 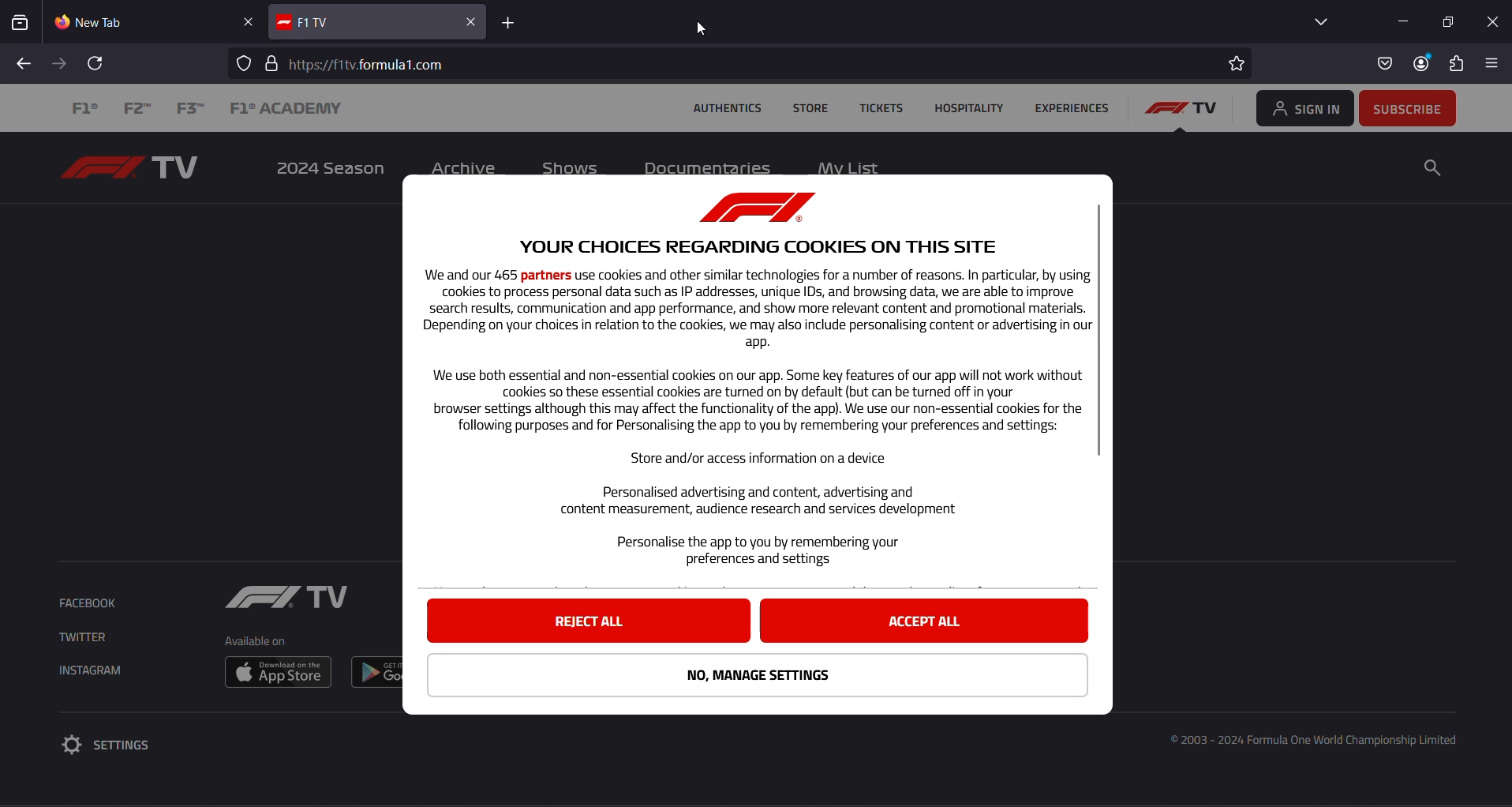 I want to click on web app title and logo, so click(x=365, y=21).